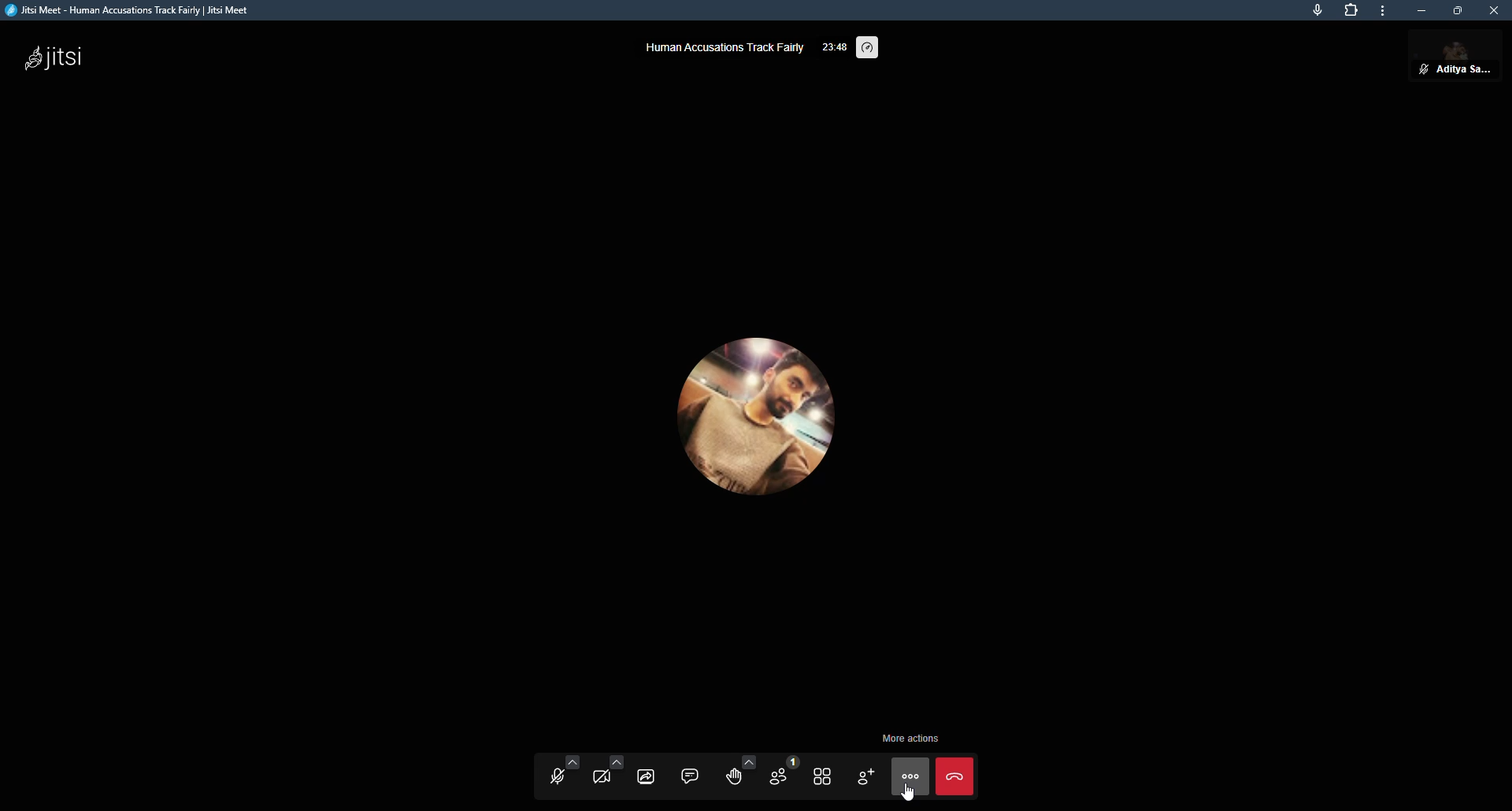 This screenshot has width=1512, height=811. I want to click on more actions, so click(910, 778).